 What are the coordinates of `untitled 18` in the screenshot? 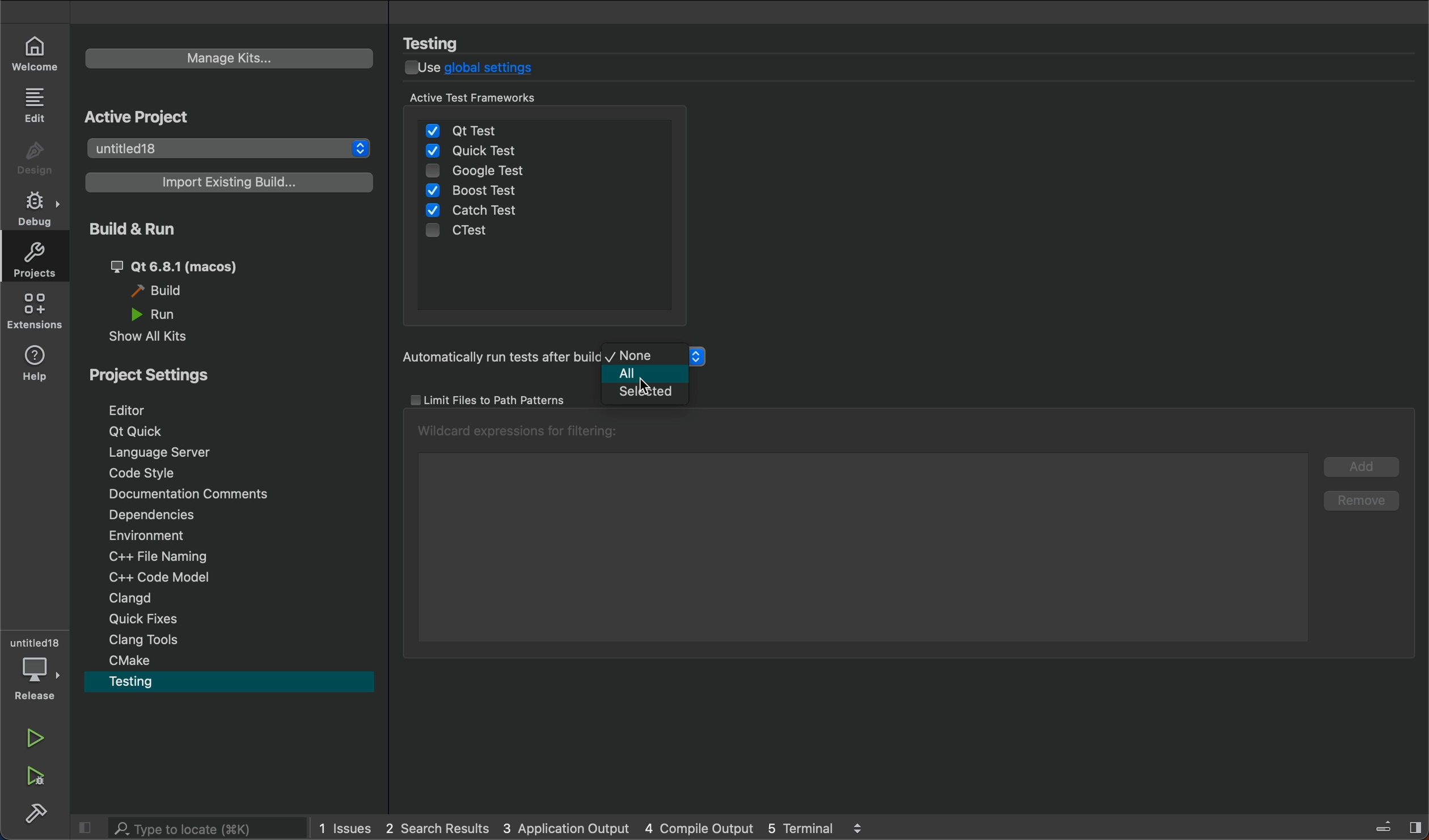 It's located at (225, 150).